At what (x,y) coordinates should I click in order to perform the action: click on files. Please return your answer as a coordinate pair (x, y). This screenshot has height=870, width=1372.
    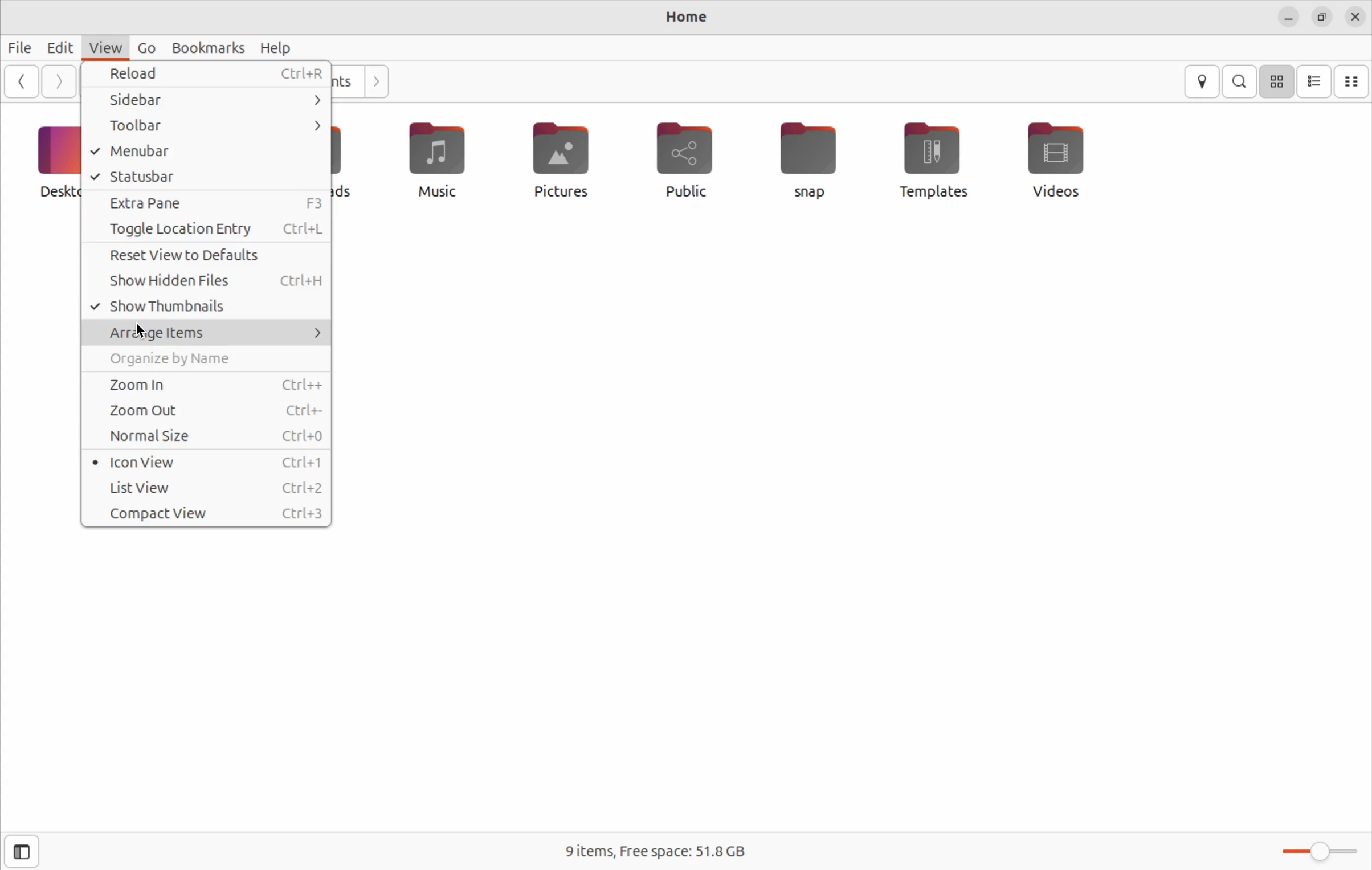
    Looking at the image, I should click on (22, 47).